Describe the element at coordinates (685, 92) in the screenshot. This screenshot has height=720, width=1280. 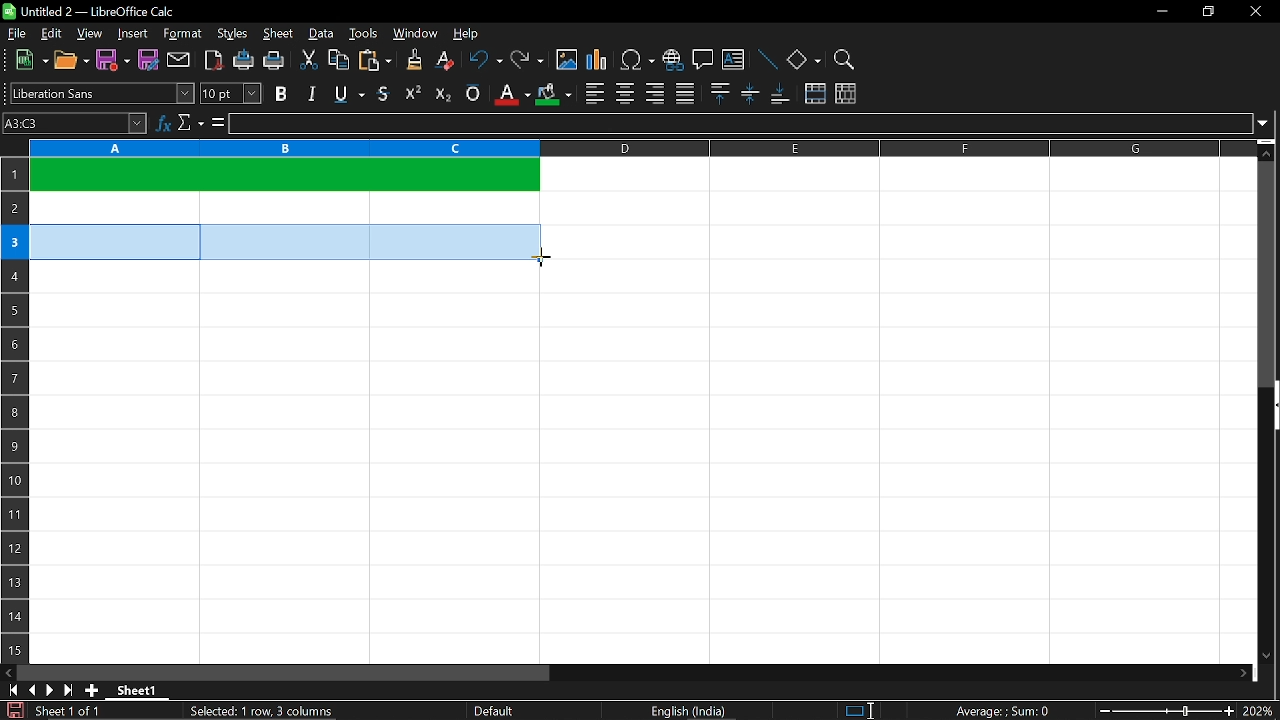
I see `justified` at that location.